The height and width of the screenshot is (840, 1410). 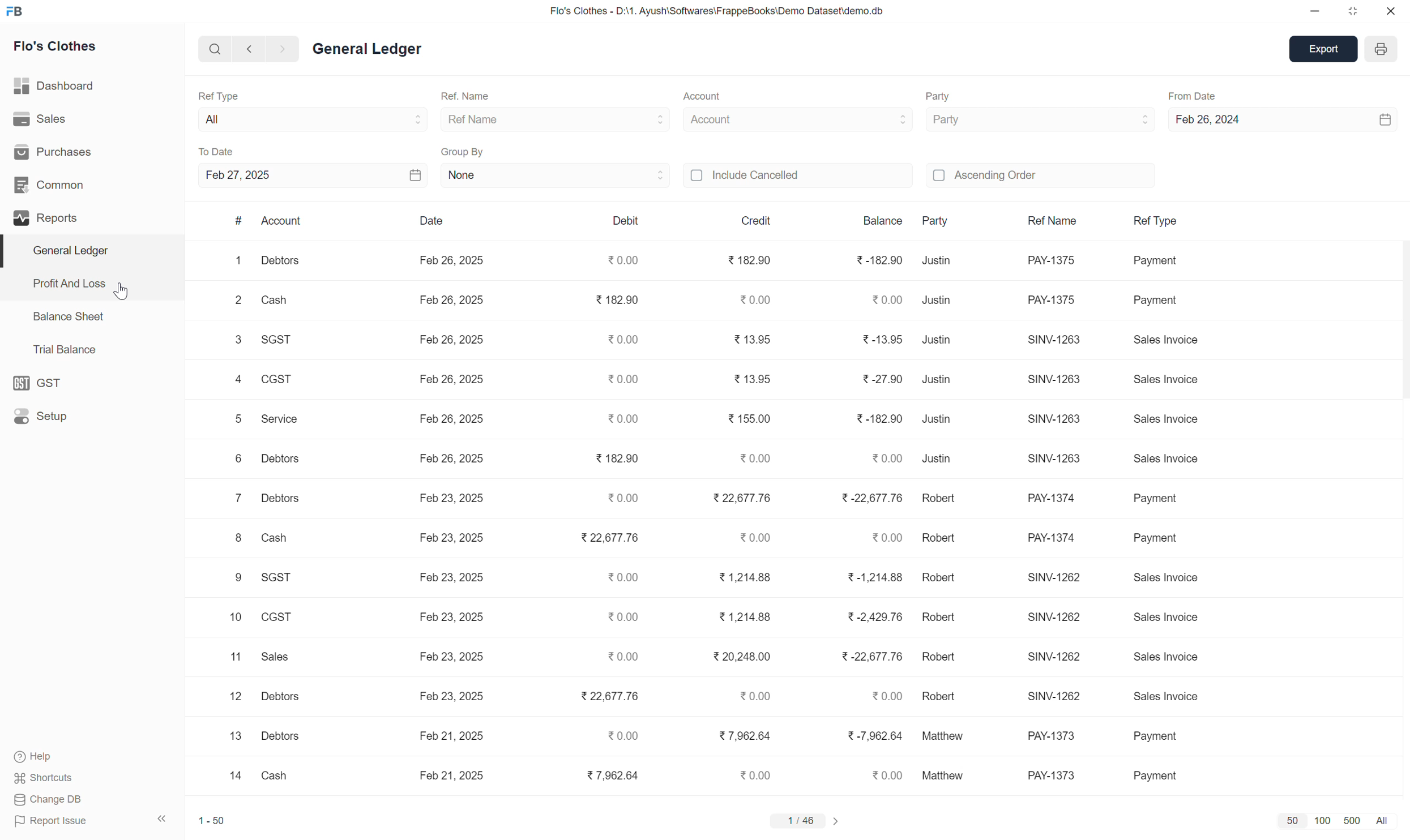 What do you see at coordinates (873, 737) in the screenshot?
I see `₹-7,962.64` at bounding box center [873, 737].